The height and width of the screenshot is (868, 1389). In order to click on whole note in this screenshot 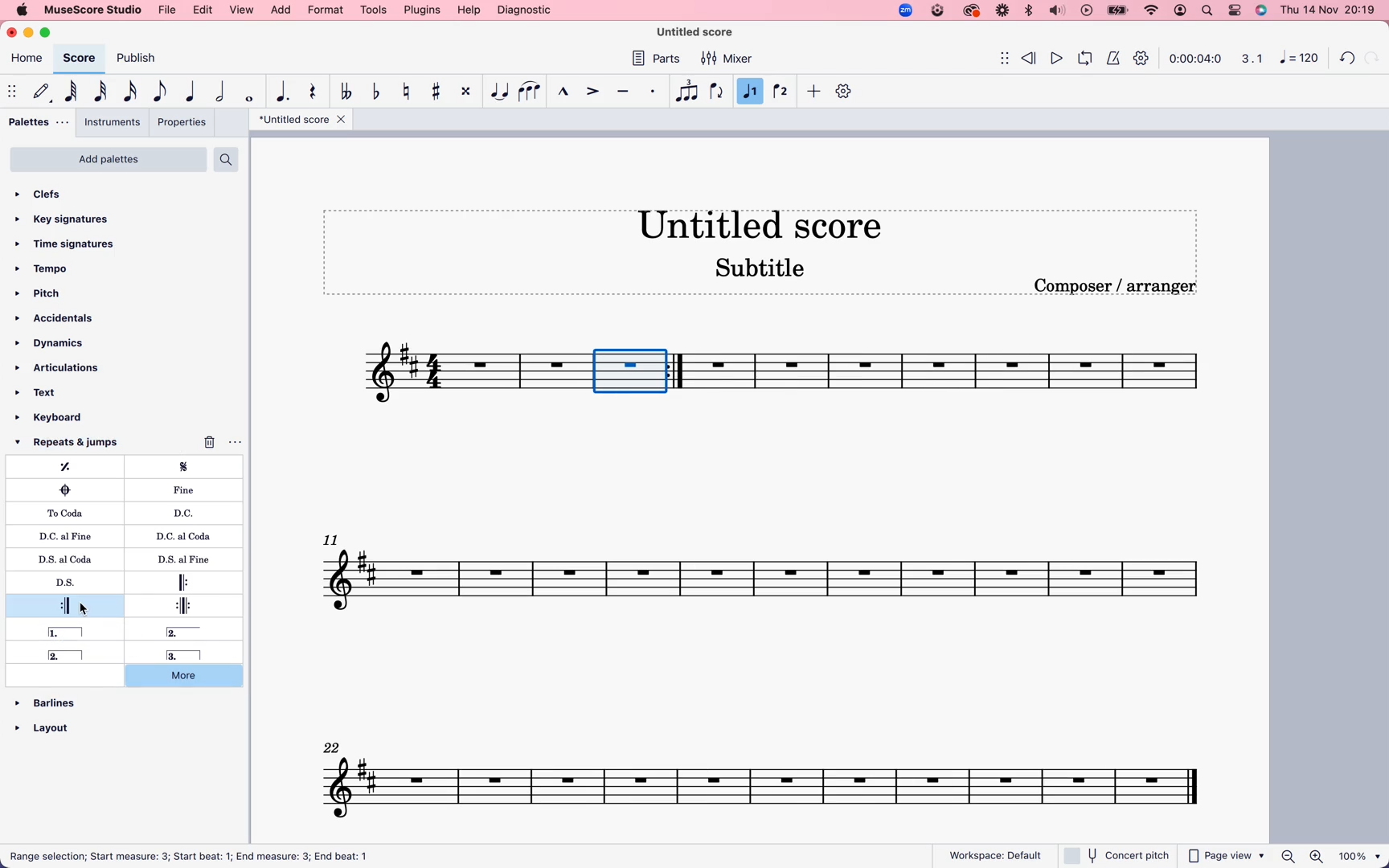, I will do `click(252, 96)`.